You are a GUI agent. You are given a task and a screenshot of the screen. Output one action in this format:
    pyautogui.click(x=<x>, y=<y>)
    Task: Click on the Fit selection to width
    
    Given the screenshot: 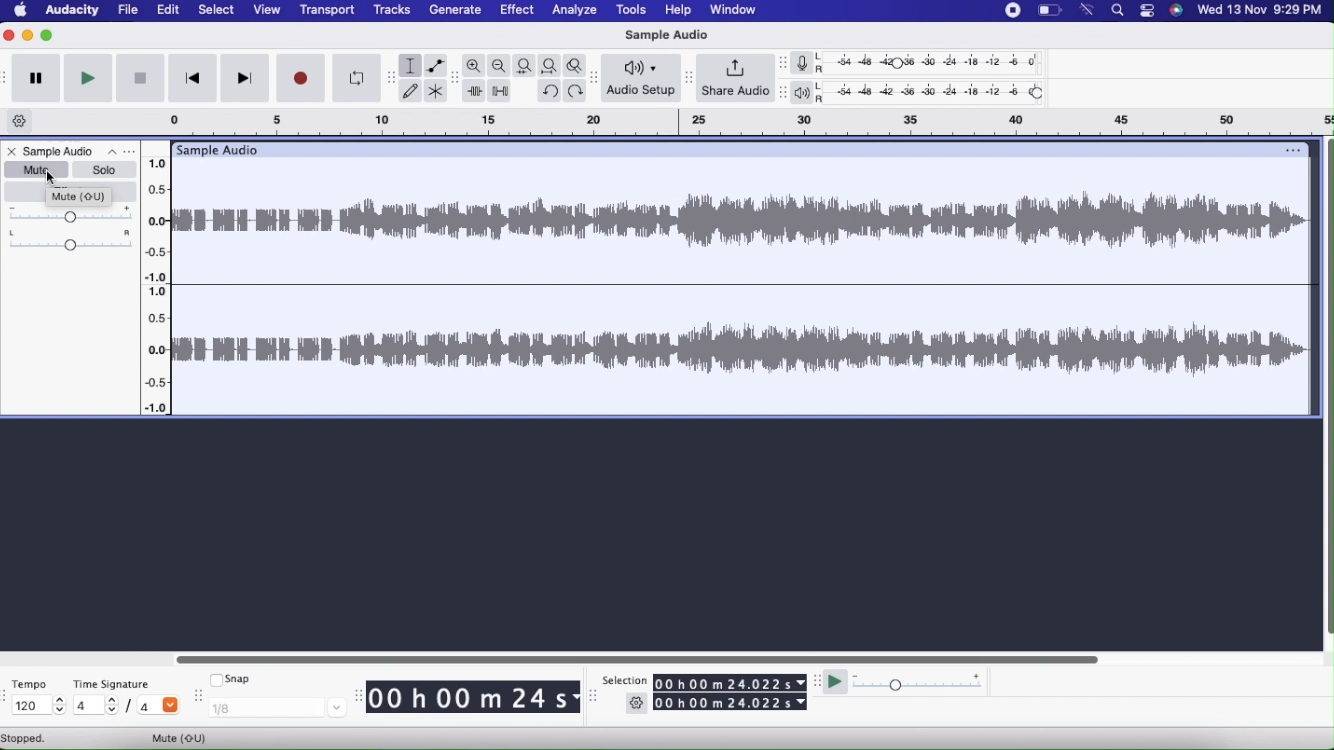 What is the action you would take?
    pyautogui.click(x=523, y=65)
    